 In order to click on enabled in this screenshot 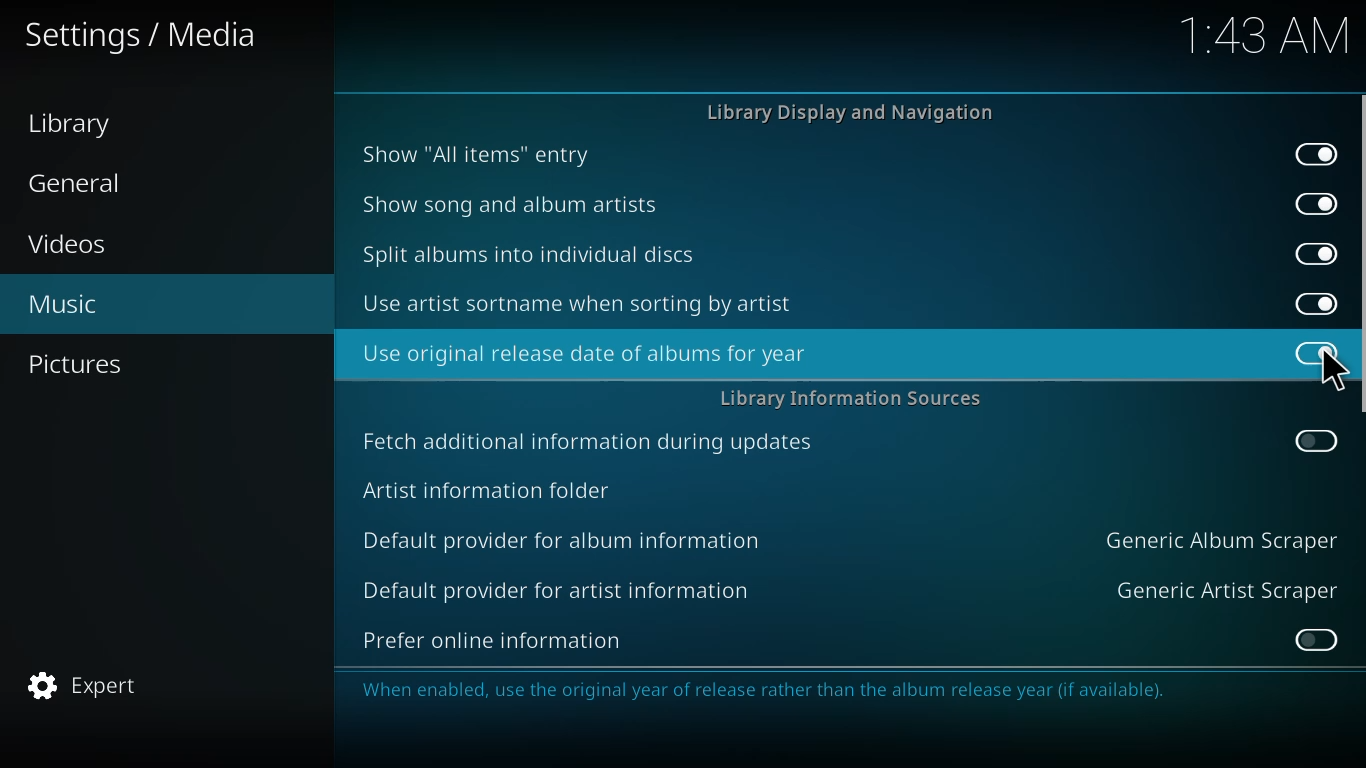, I will do `click(1316, 152)`.